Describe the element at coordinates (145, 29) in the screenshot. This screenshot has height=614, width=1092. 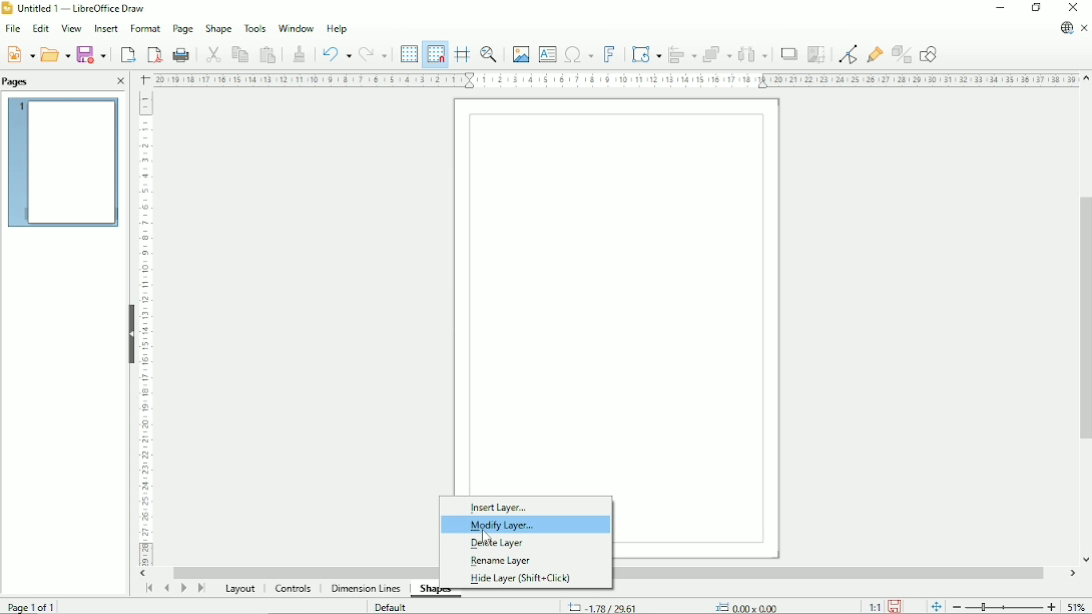
I see `Format` at that location.